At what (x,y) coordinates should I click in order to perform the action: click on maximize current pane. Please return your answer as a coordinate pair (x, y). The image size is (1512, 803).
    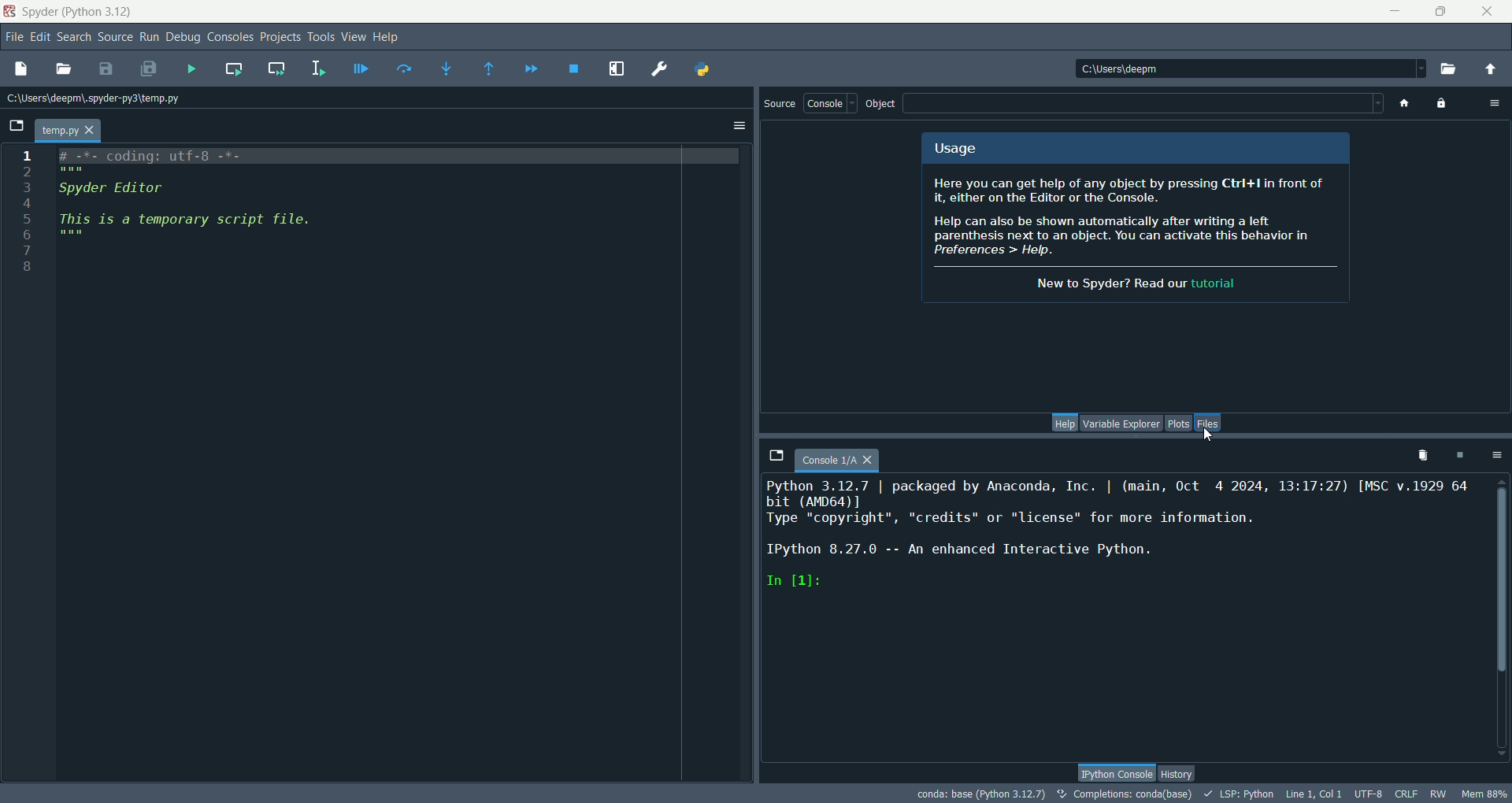
    Looking at the image, I should click on (616, 70).